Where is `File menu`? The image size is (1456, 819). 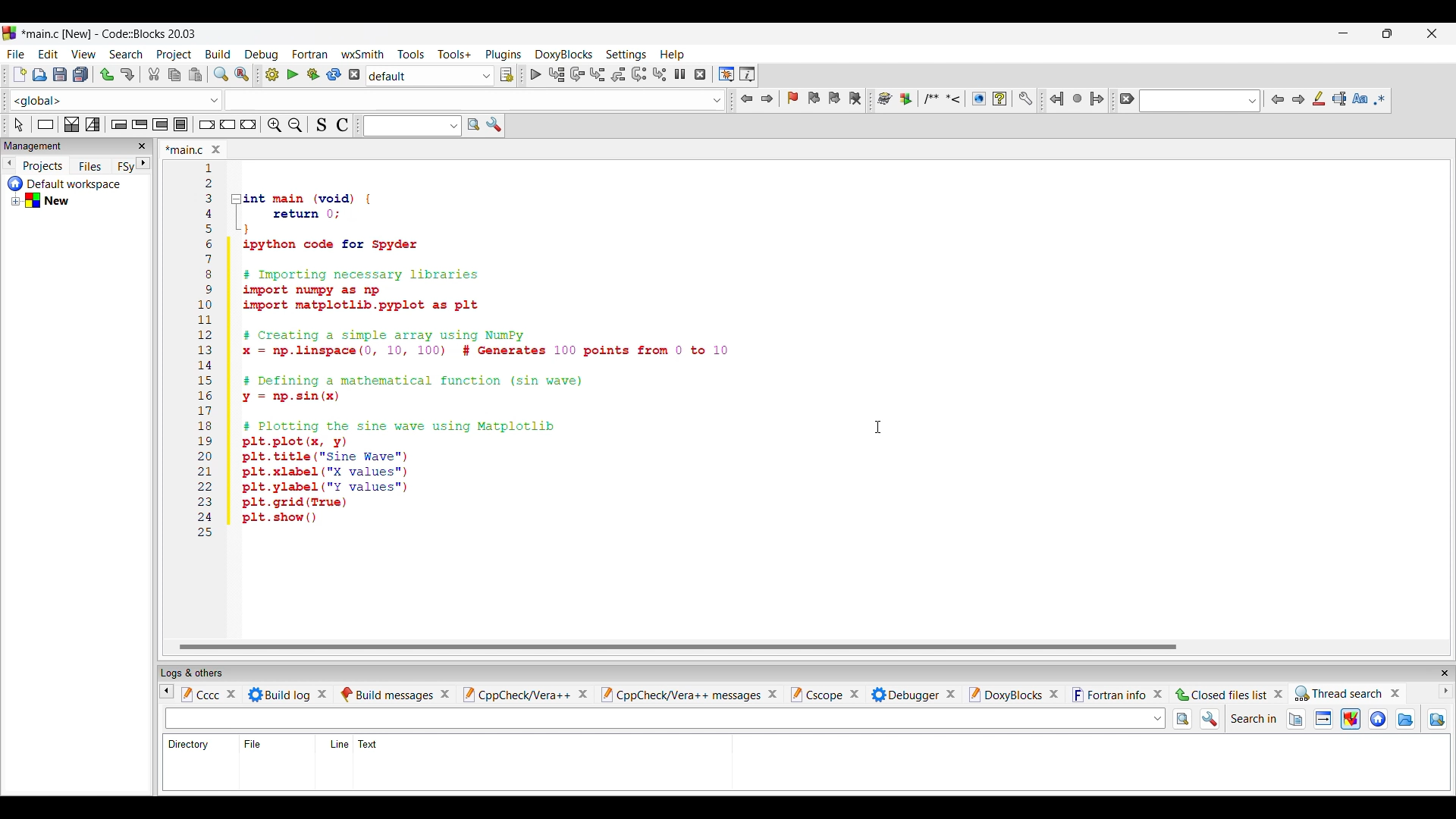
File menu is located at coordinates (15, 55).